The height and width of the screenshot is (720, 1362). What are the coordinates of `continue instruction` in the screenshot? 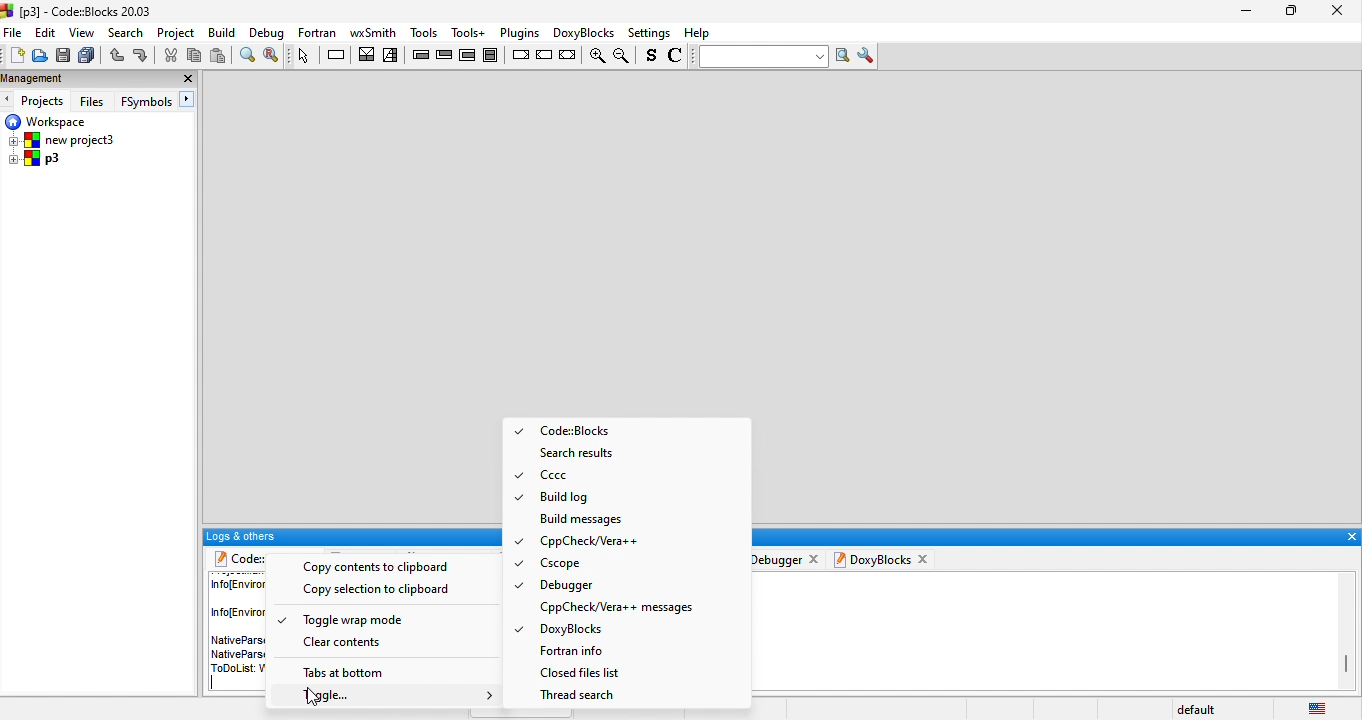 It's located at (545, 56).